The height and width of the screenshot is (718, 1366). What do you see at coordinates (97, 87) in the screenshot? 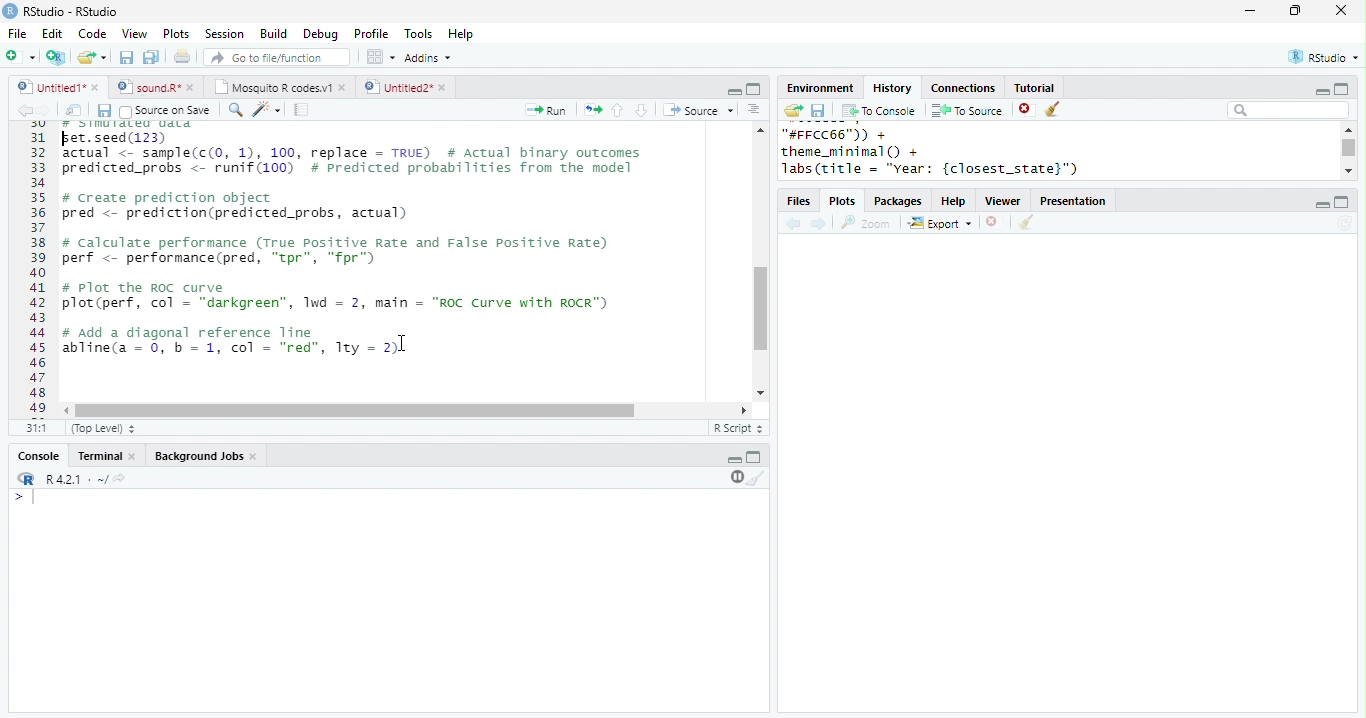
I see `close` at bounding box center [97, 87].